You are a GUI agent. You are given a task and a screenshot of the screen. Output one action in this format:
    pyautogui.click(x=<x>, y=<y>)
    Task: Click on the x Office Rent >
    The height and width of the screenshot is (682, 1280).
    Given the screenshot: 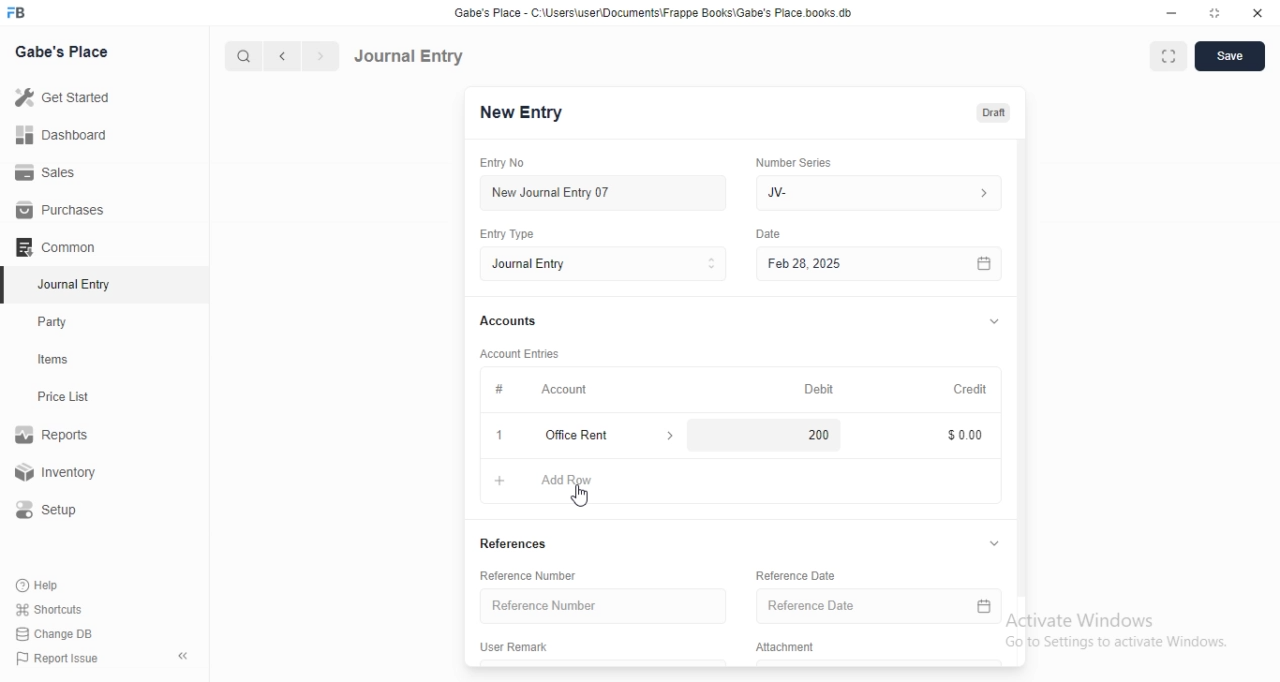 What is the action you would take?
    pyautogui.click(x=588, y=435)
    